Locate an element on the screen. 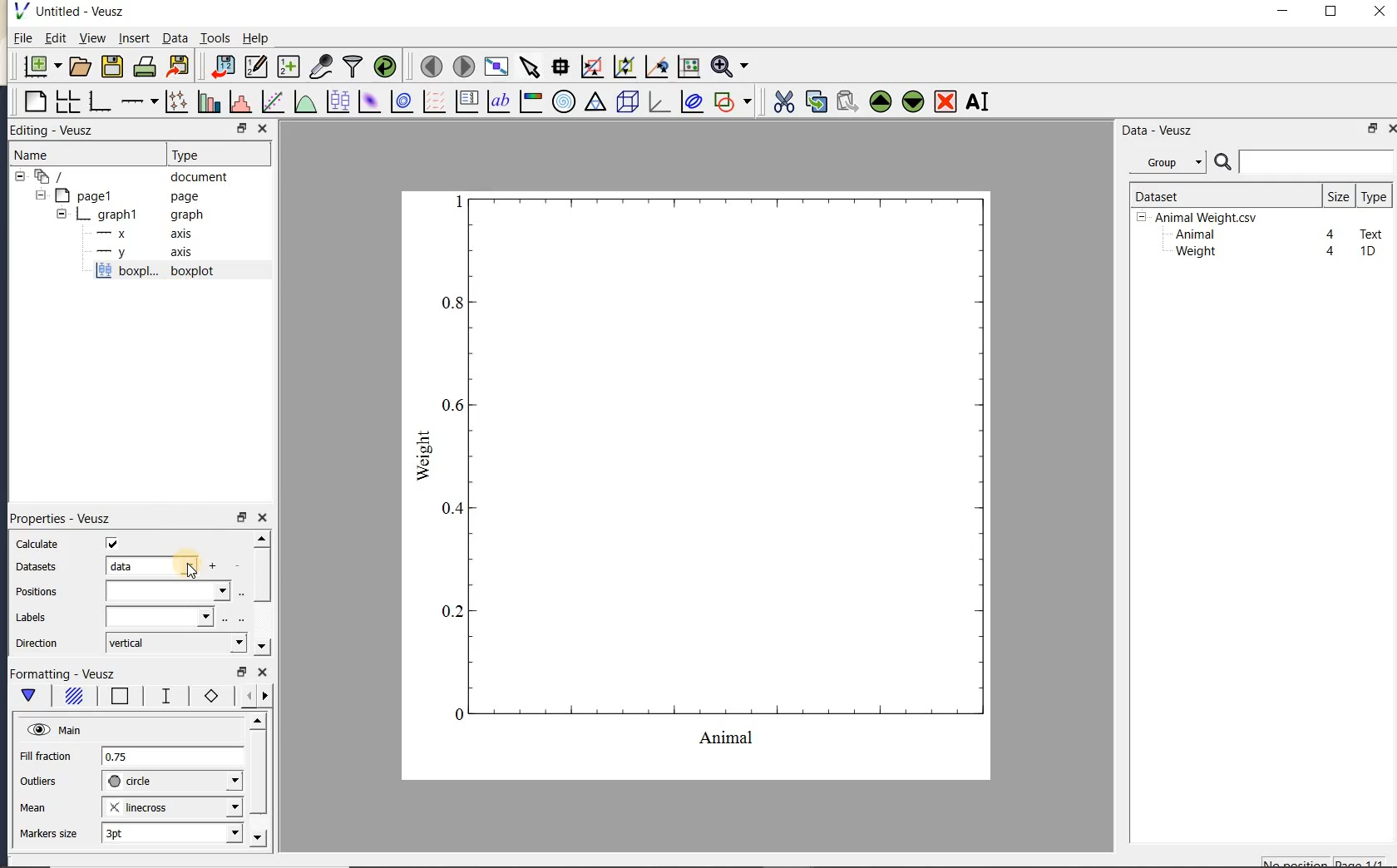  axis is located at coordinates (140, 234).